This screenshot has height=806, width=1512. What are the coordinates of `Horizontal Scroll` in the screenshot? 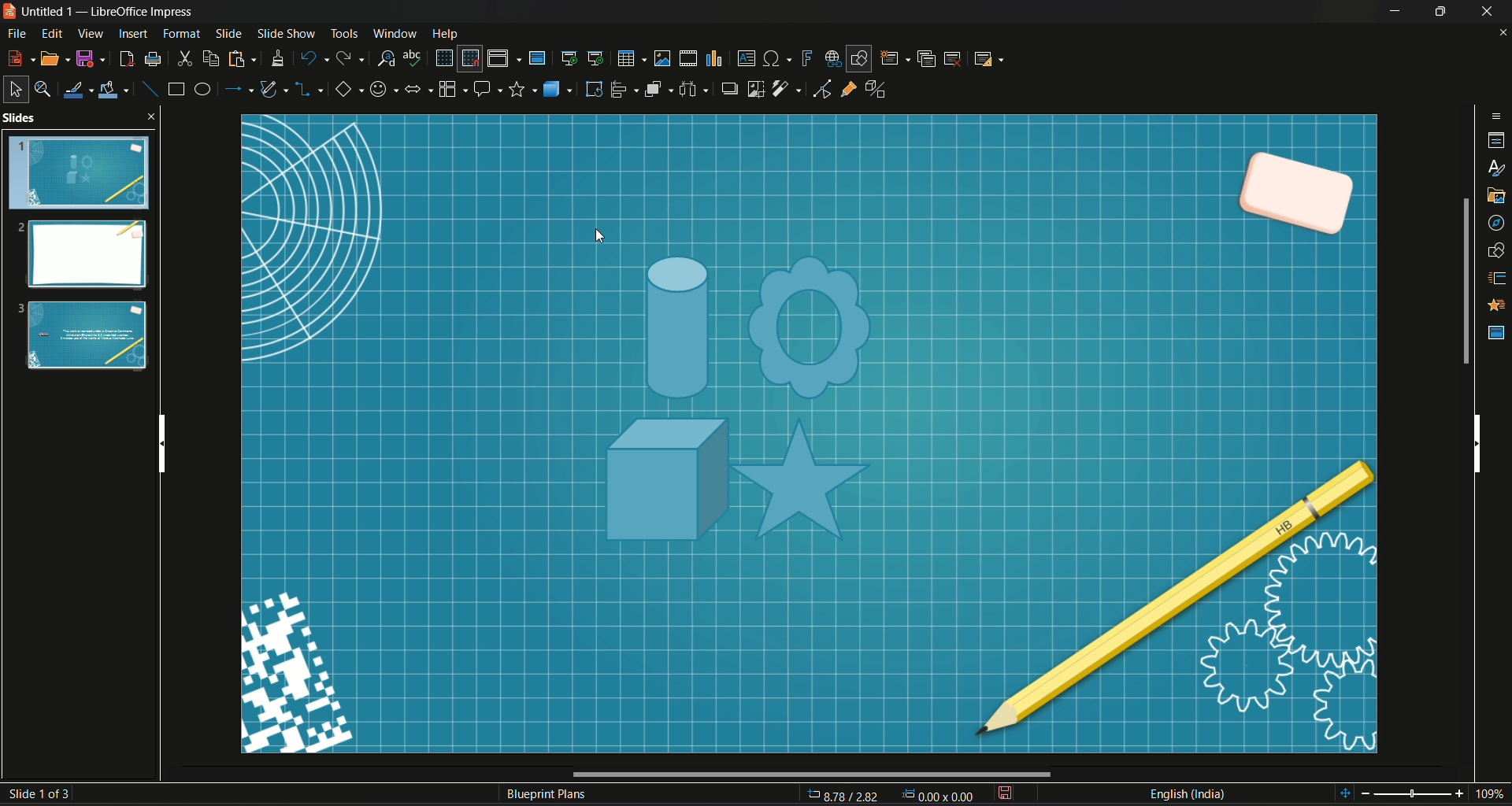 It's located at (809, 775).